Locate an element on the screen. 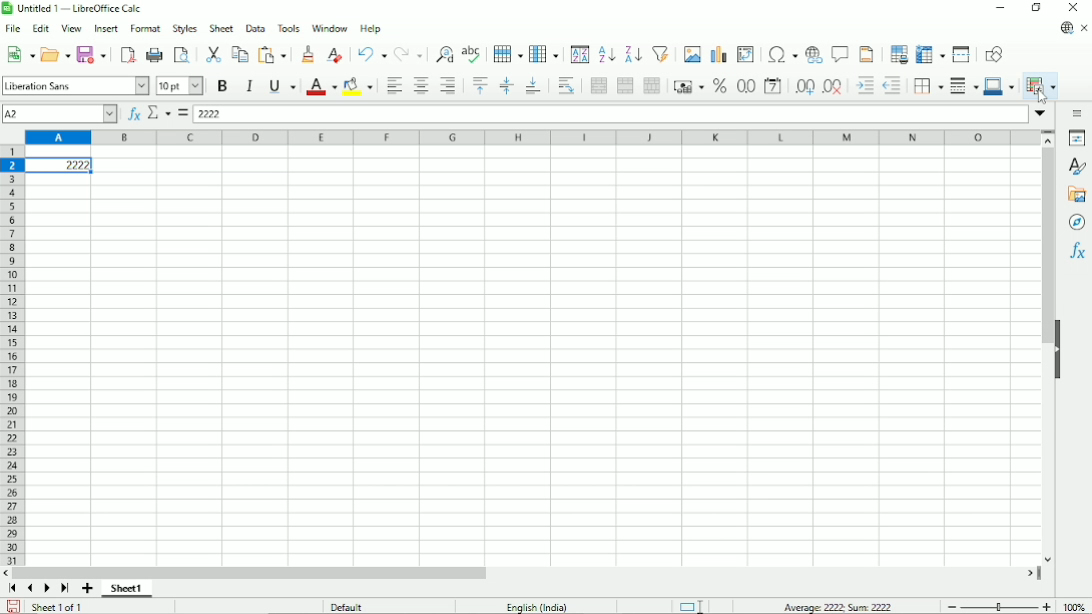 This screenshot has width=1092, height=614. Add decimal place is located at coordinates (804, 86).